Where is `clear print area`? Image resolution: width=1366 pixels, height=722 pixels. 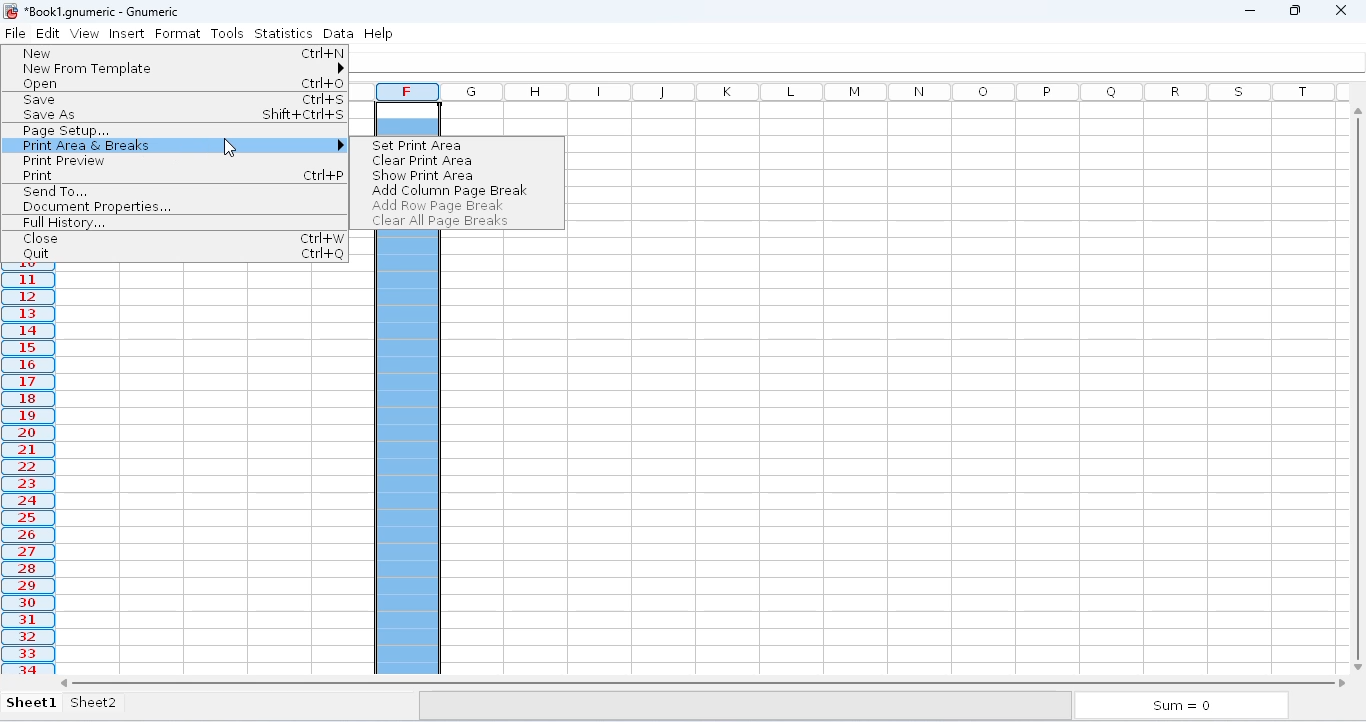
clear print area is located at coordinates (420, 160).